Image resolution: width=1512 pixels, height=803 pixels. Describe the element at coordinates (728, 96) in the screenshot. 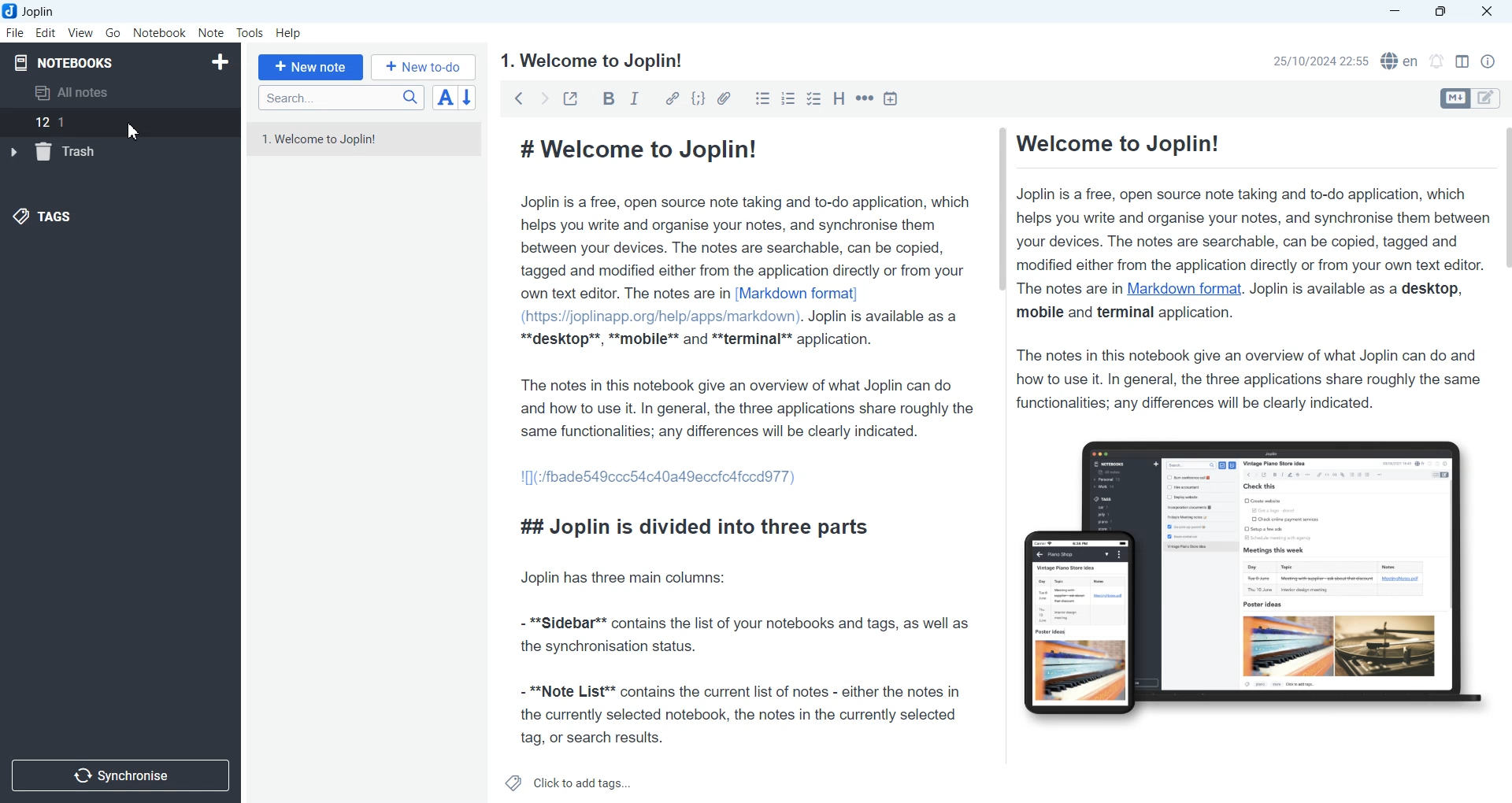

I see `Attach file` at that location.